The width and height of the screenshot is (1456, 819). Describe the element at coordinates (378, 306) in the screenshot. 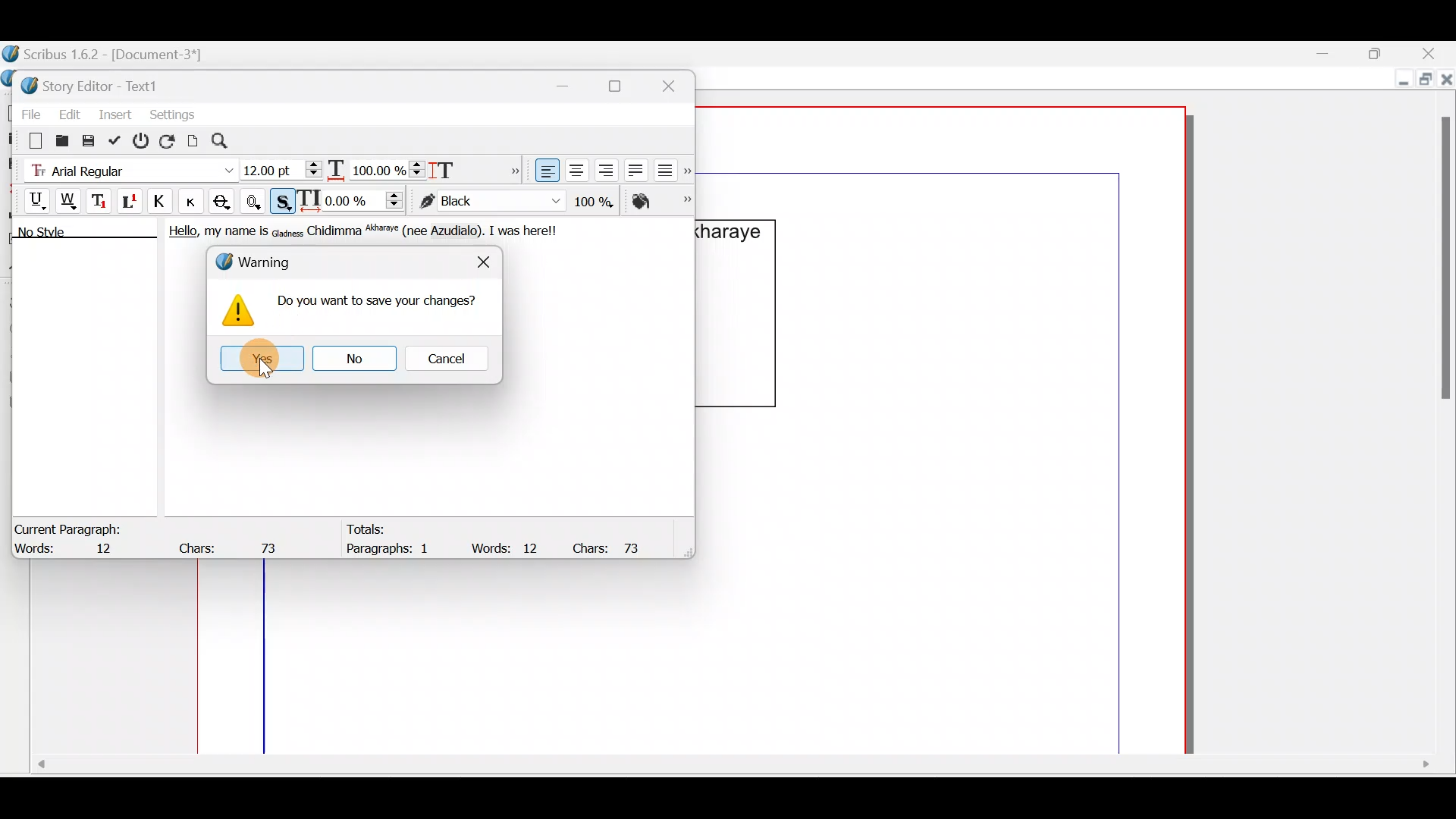

I see `Do you want to save your changes?` at that location.